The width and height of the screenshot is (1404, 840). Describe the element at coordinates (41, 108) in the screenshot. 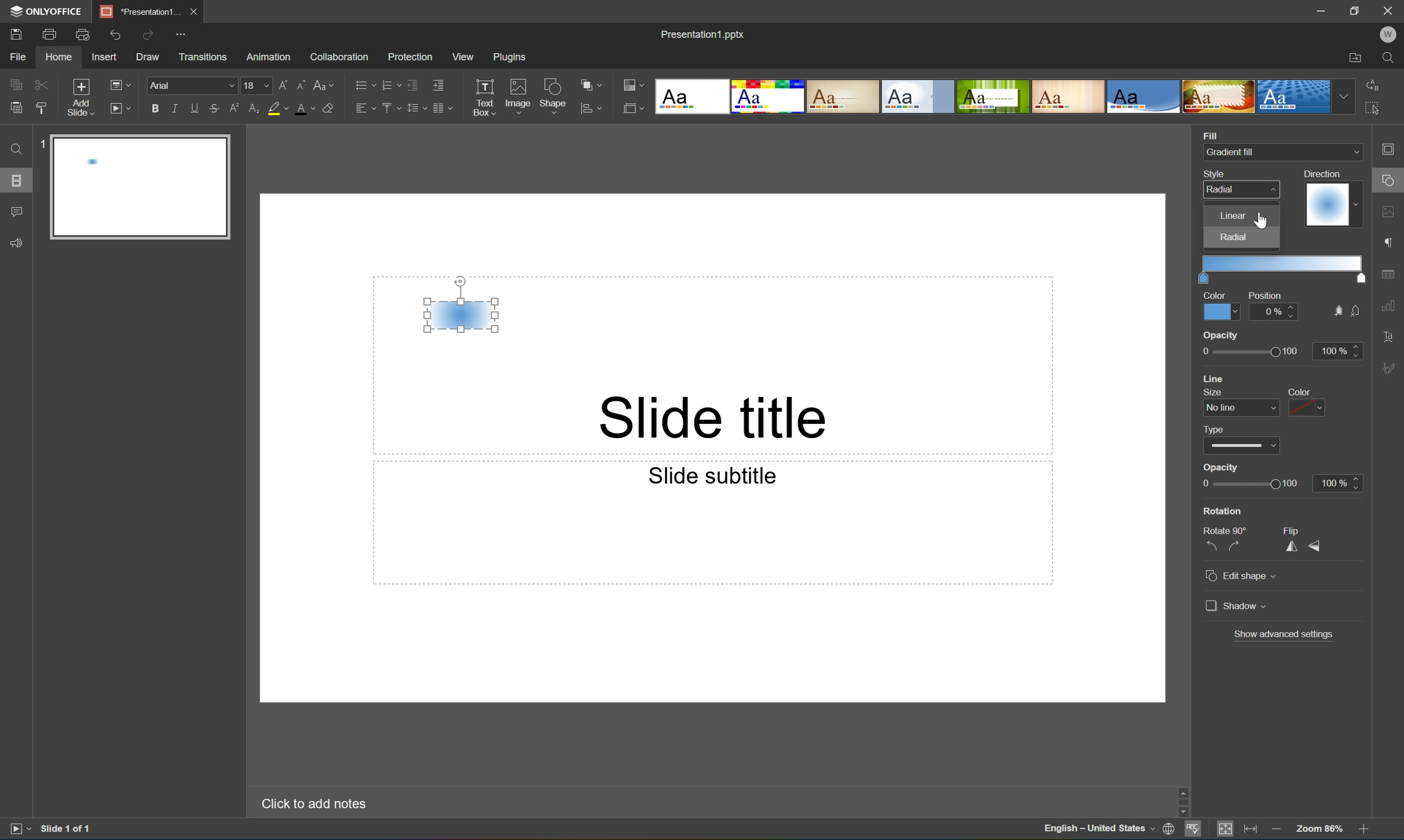

I see `Copy style` at that location.